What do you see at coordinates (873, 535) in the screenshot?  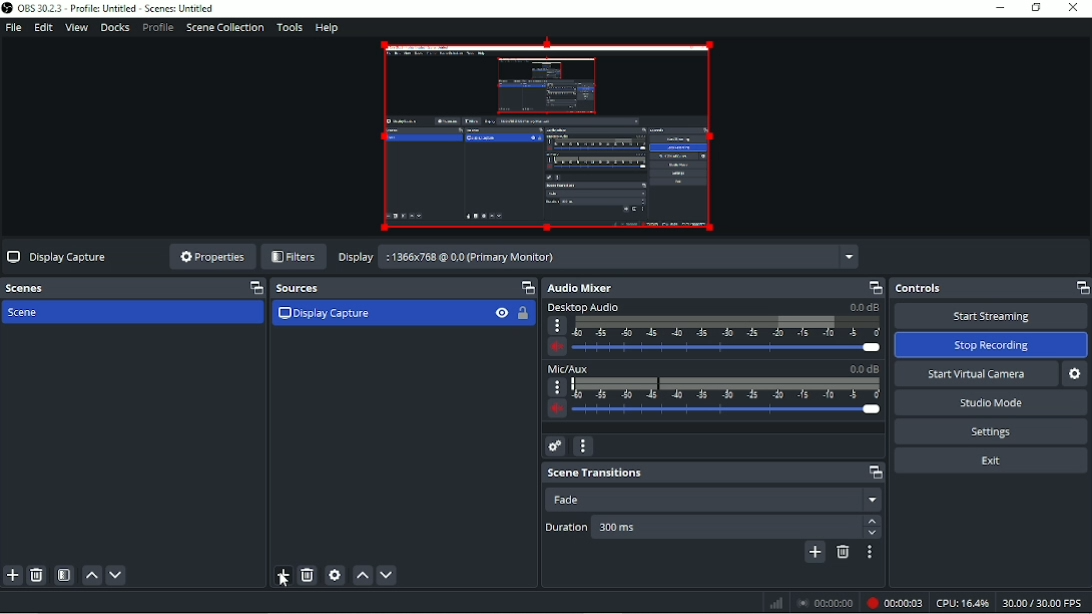 I see `Down arrow` at bounding box center [873, 535].